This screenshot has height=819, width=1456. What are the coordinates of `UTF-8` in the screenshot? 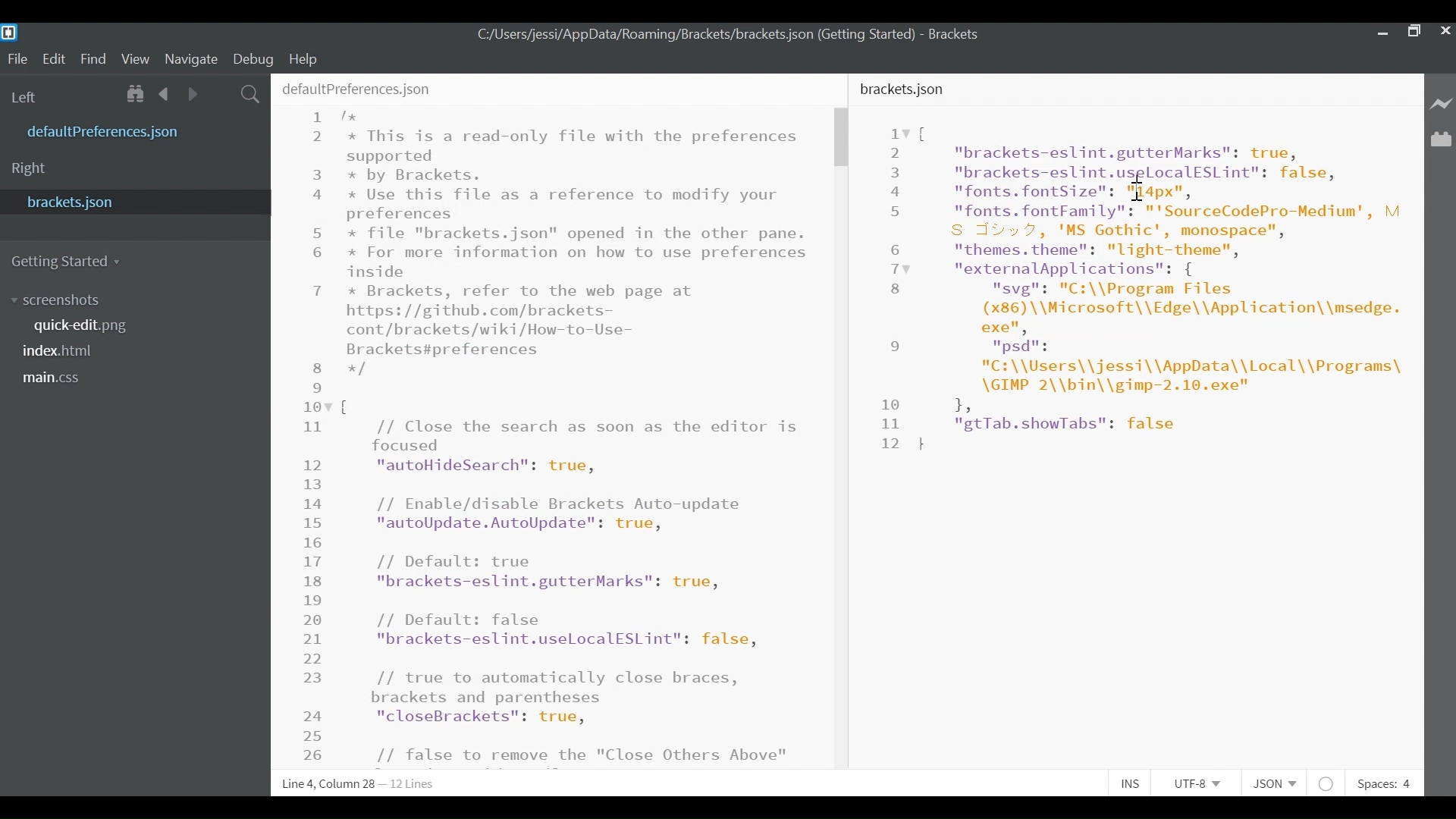 It's located at (1196, 781).